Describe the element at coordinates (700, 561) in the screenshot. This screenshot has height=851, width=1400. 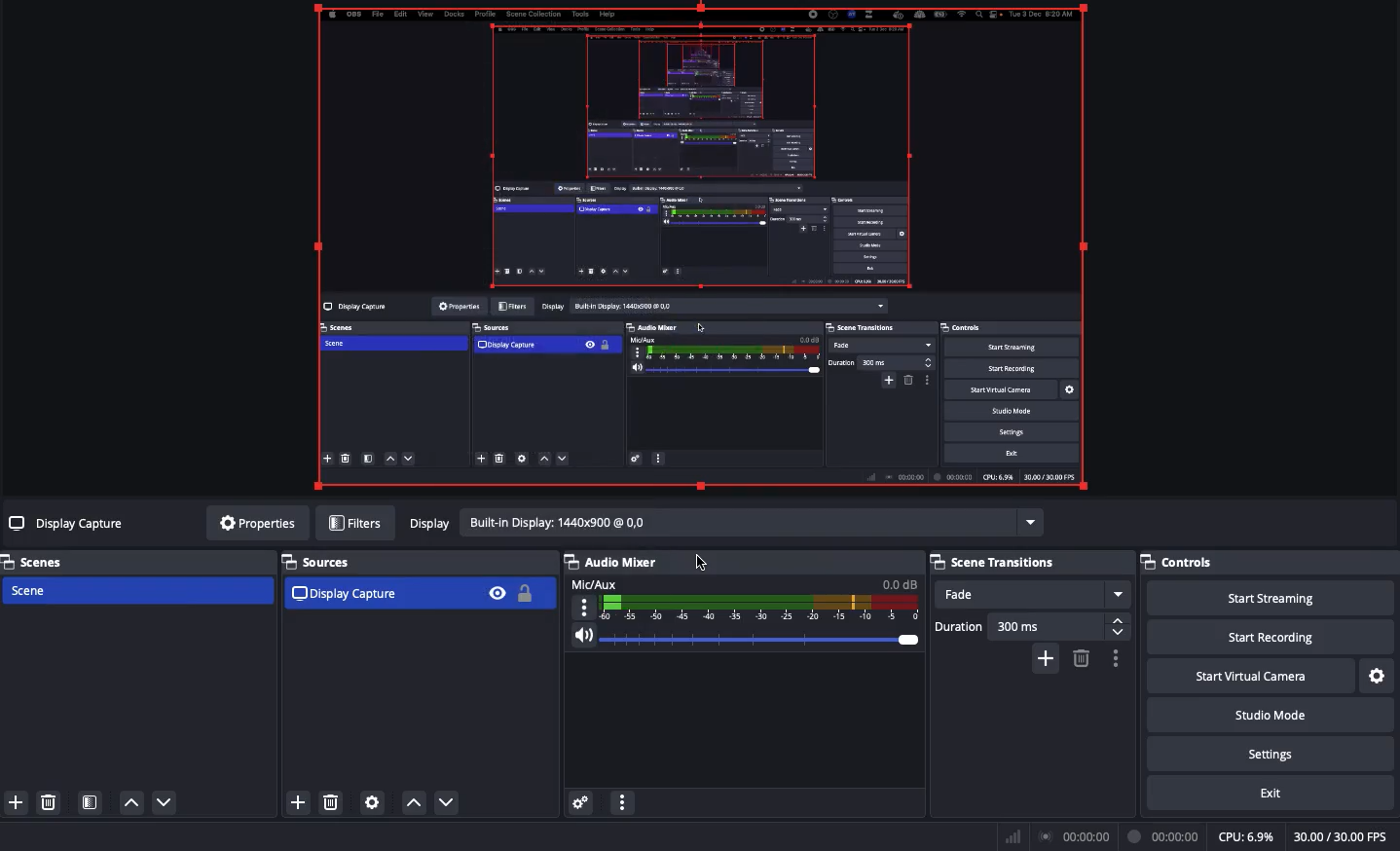
I see `cursor` at that location.